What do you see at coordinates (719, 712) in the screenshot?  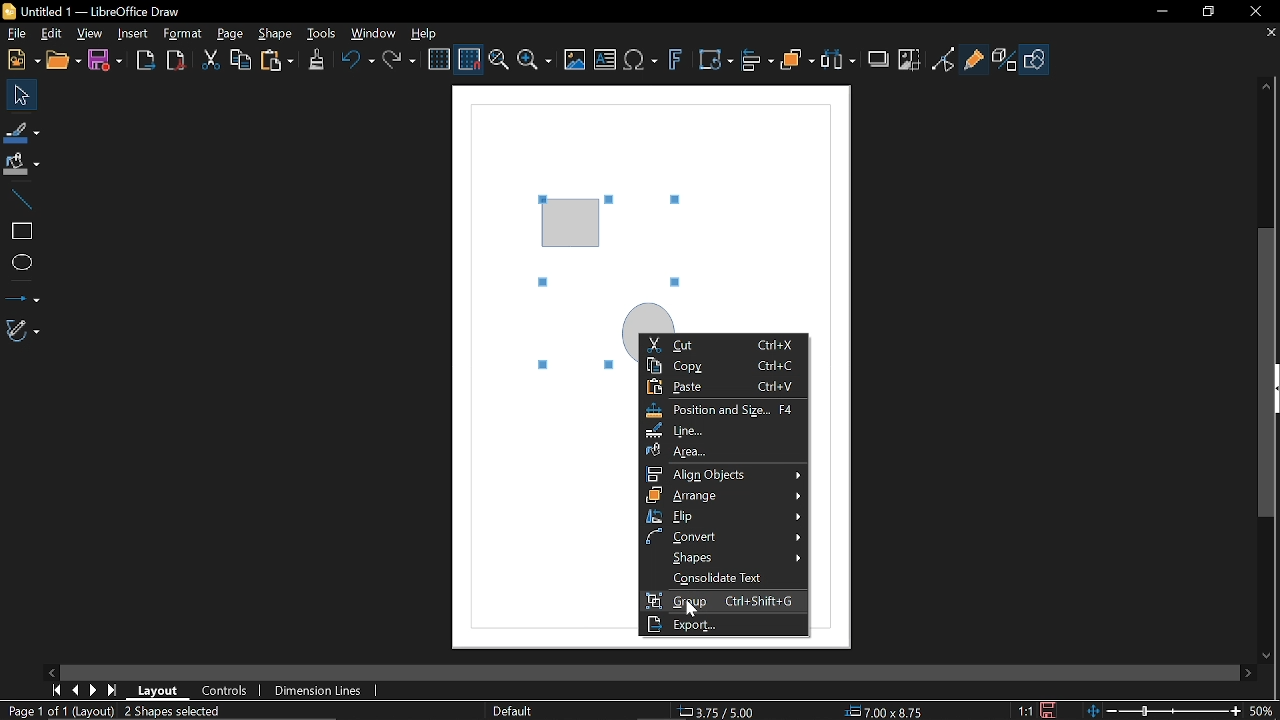 I see `Location` at bounding box center [719, 712].